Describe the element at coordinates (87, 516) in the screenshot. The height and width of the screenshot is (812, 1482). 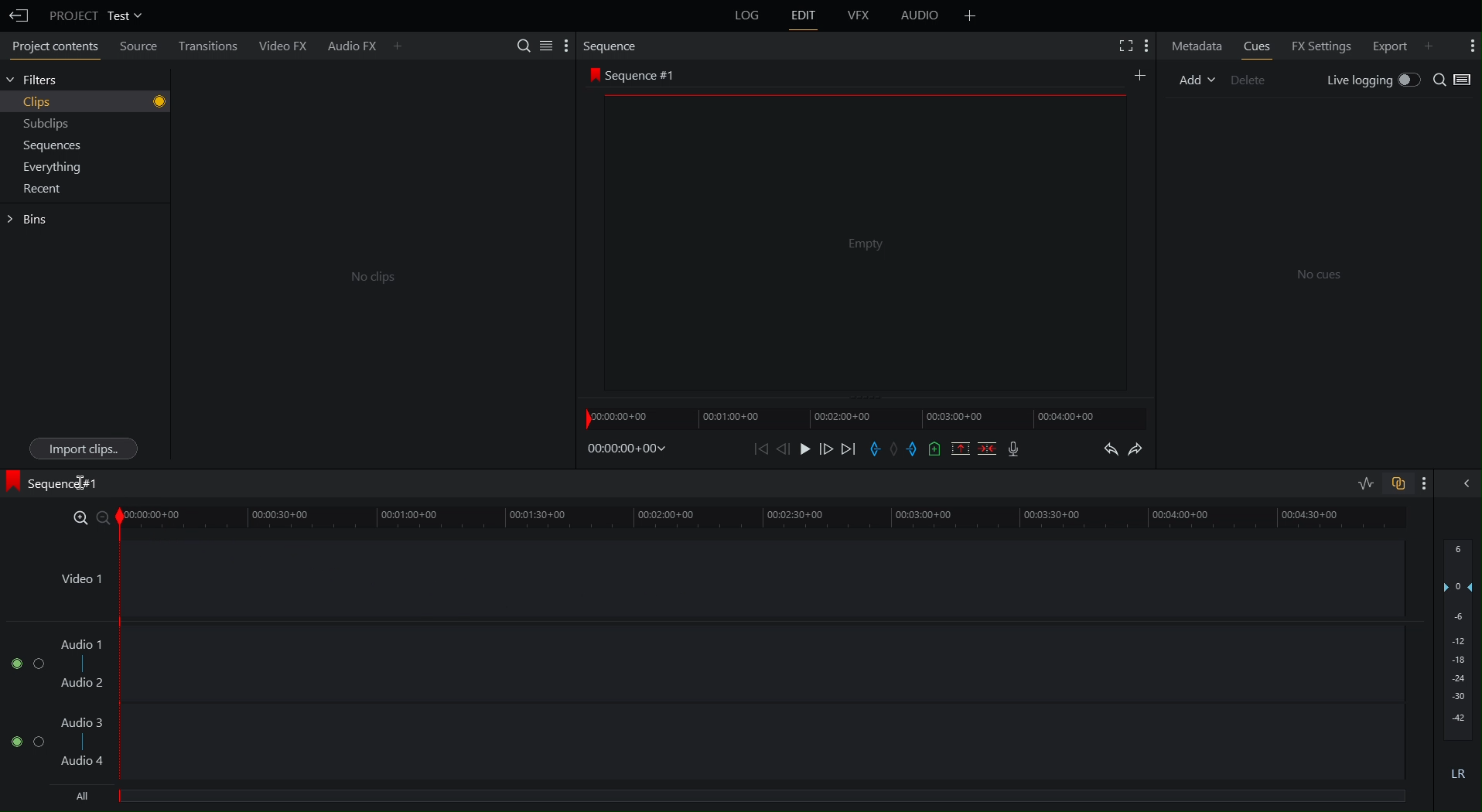
I see `Zoom` at that location.